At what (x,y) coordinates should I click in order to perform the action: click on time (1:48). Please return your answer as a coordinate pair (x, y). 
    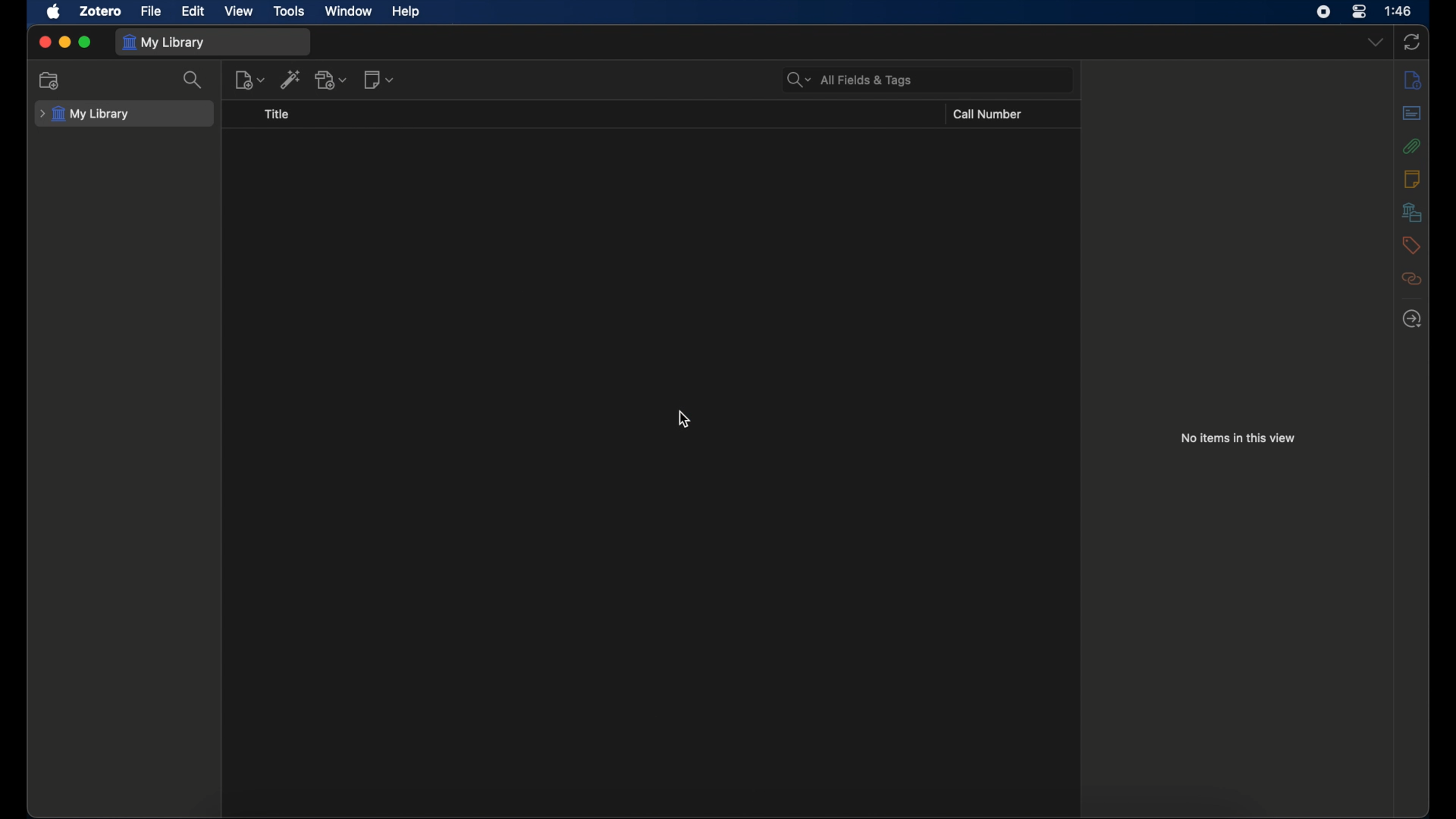
    Looking at the image, I should click on (1398, 10).